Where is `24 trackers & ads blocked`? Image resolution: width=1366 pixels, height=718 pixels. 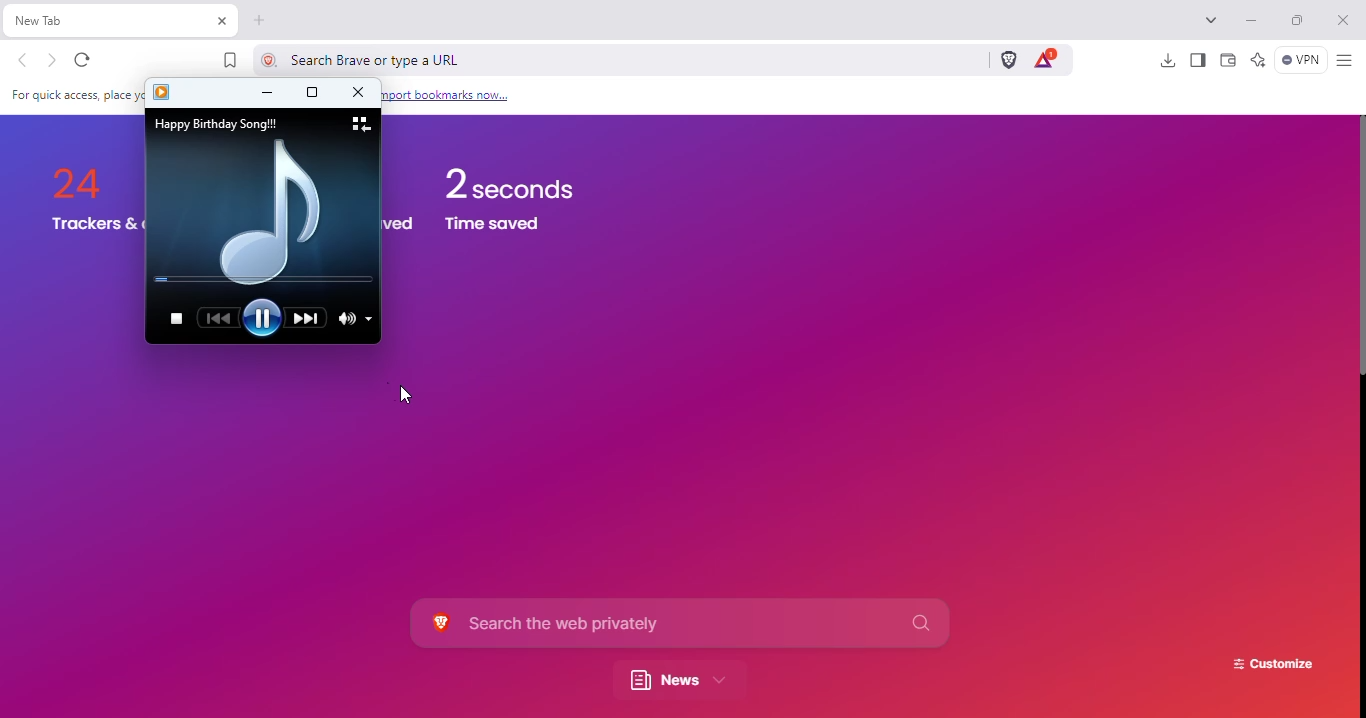
24 trackers & ads blocked is located at coordinates (82, 175).